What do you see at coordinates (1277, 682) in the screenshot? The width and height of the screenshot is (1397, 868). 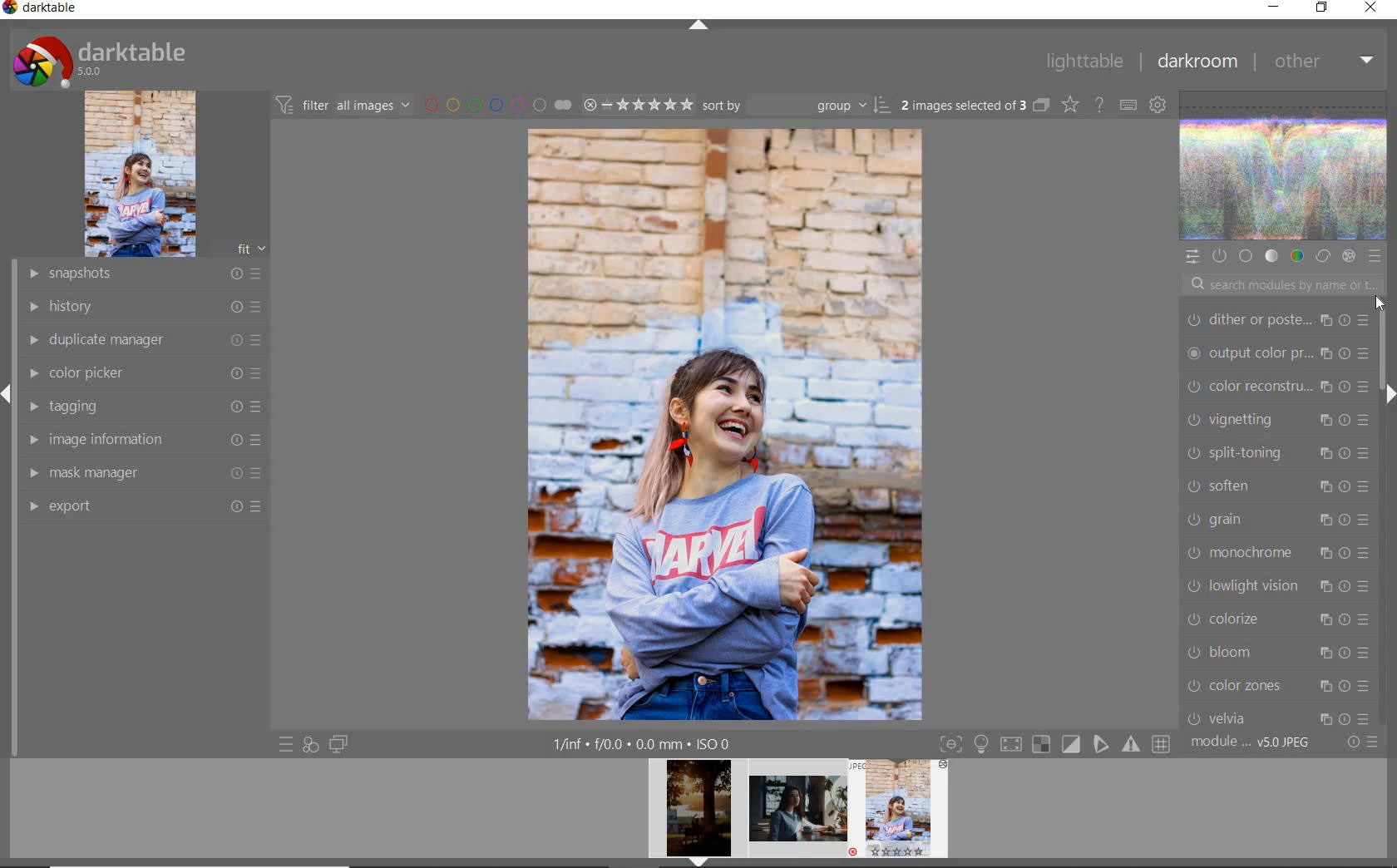 I see `chromatic` at bounding box center [1277, 682].